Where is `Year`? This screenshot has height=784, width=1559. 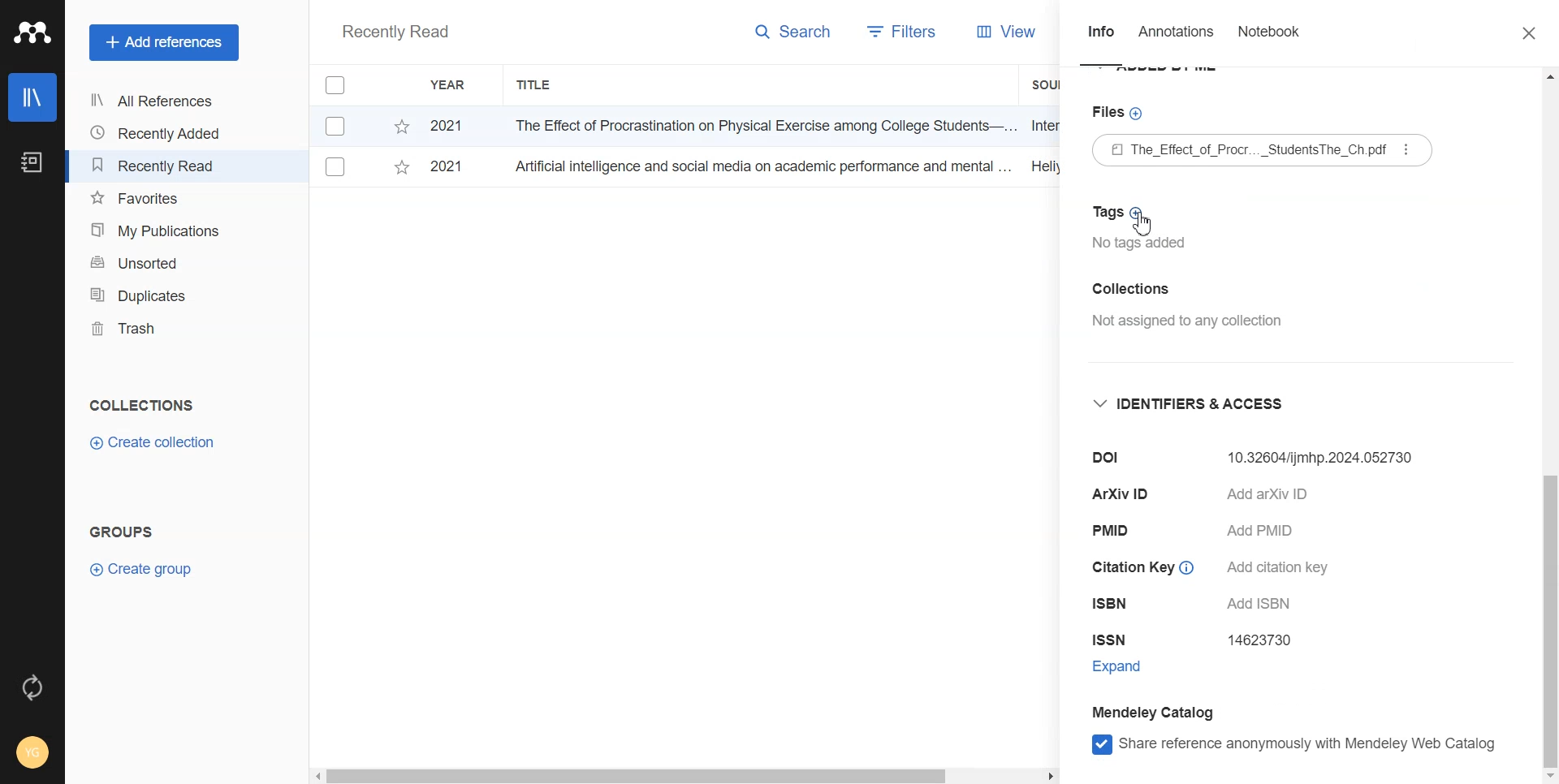
Year is located at coordinates (451, 85).